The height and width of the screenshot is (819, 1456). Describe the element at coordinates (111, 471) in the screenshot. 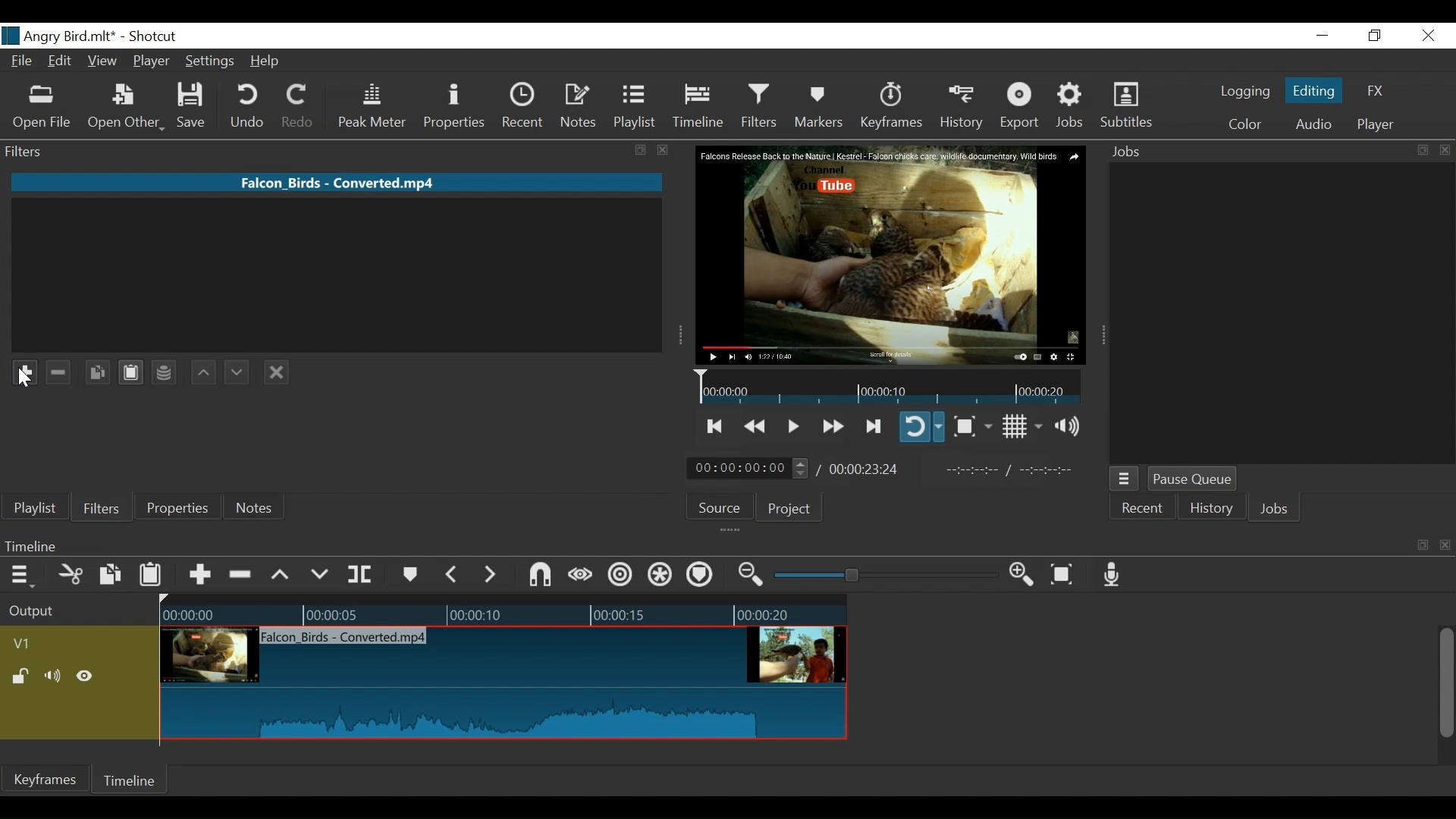

I see `Remove Cut` at that location.